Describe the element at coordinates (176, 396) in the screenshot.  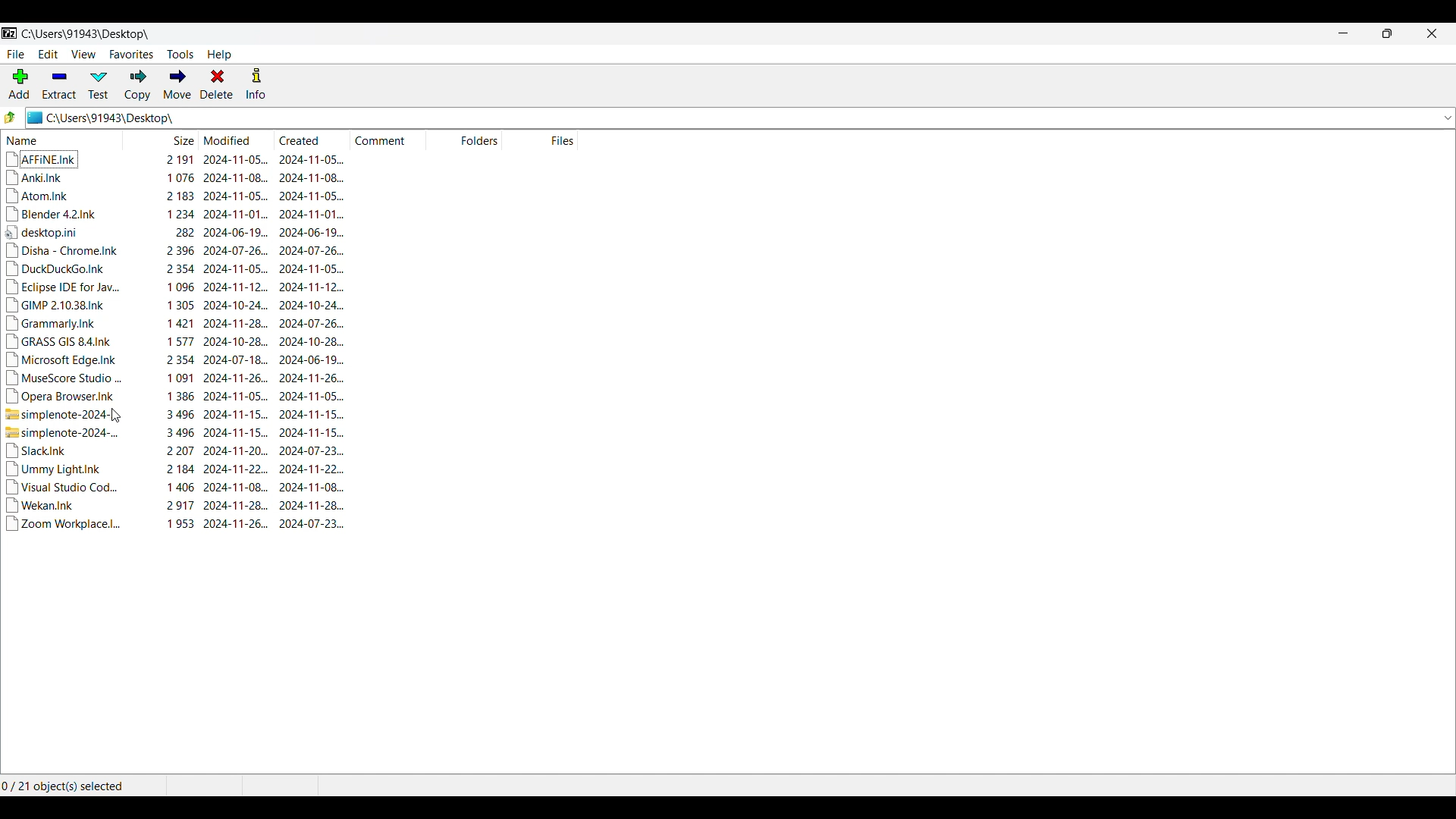
I see `Opera Browser.Ink 1386 2024-11-05... 2024-11-05...` at that location.